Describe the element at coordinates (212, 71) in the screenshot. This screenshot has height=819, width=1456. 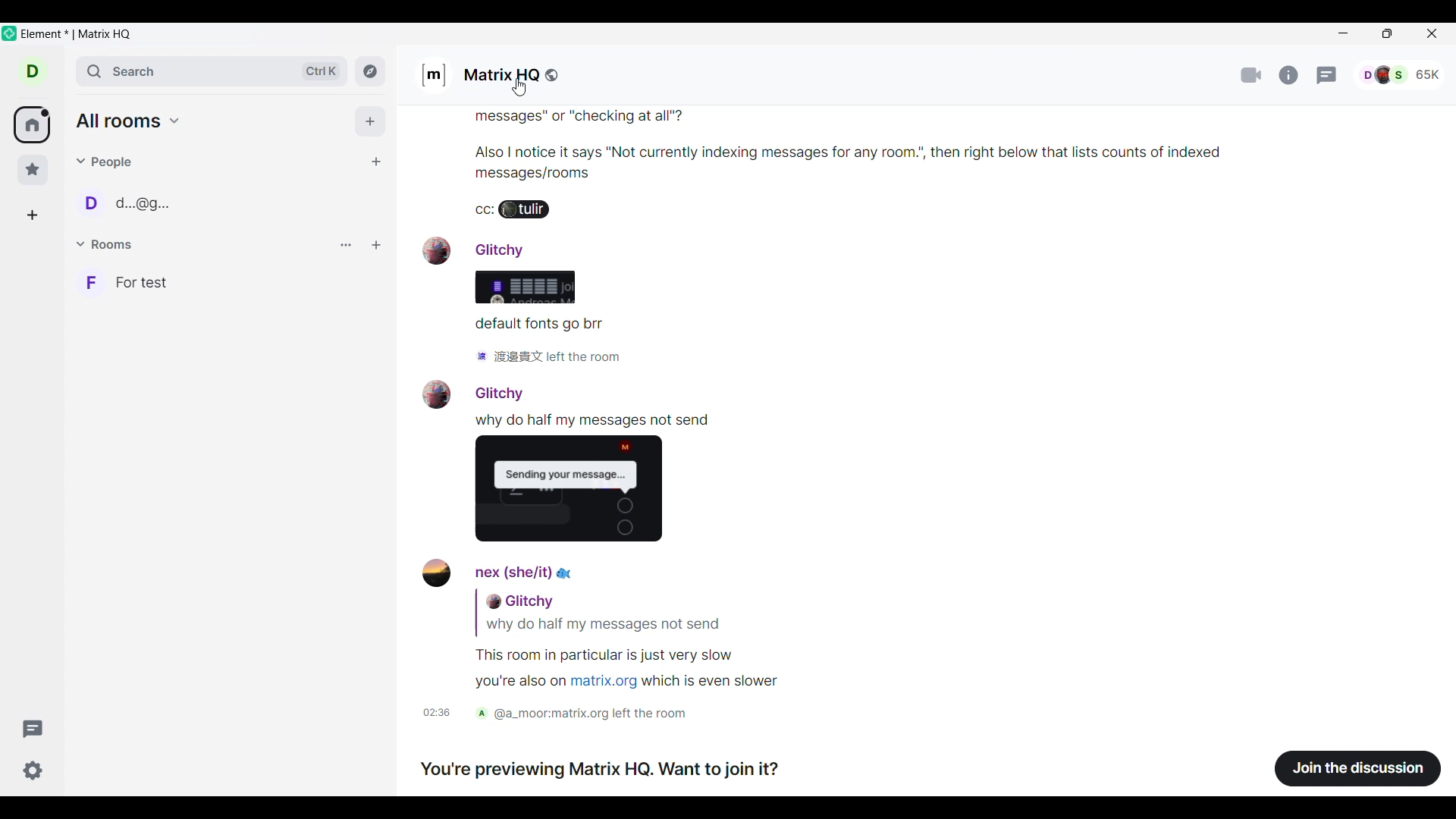
I see `Search` at that location.